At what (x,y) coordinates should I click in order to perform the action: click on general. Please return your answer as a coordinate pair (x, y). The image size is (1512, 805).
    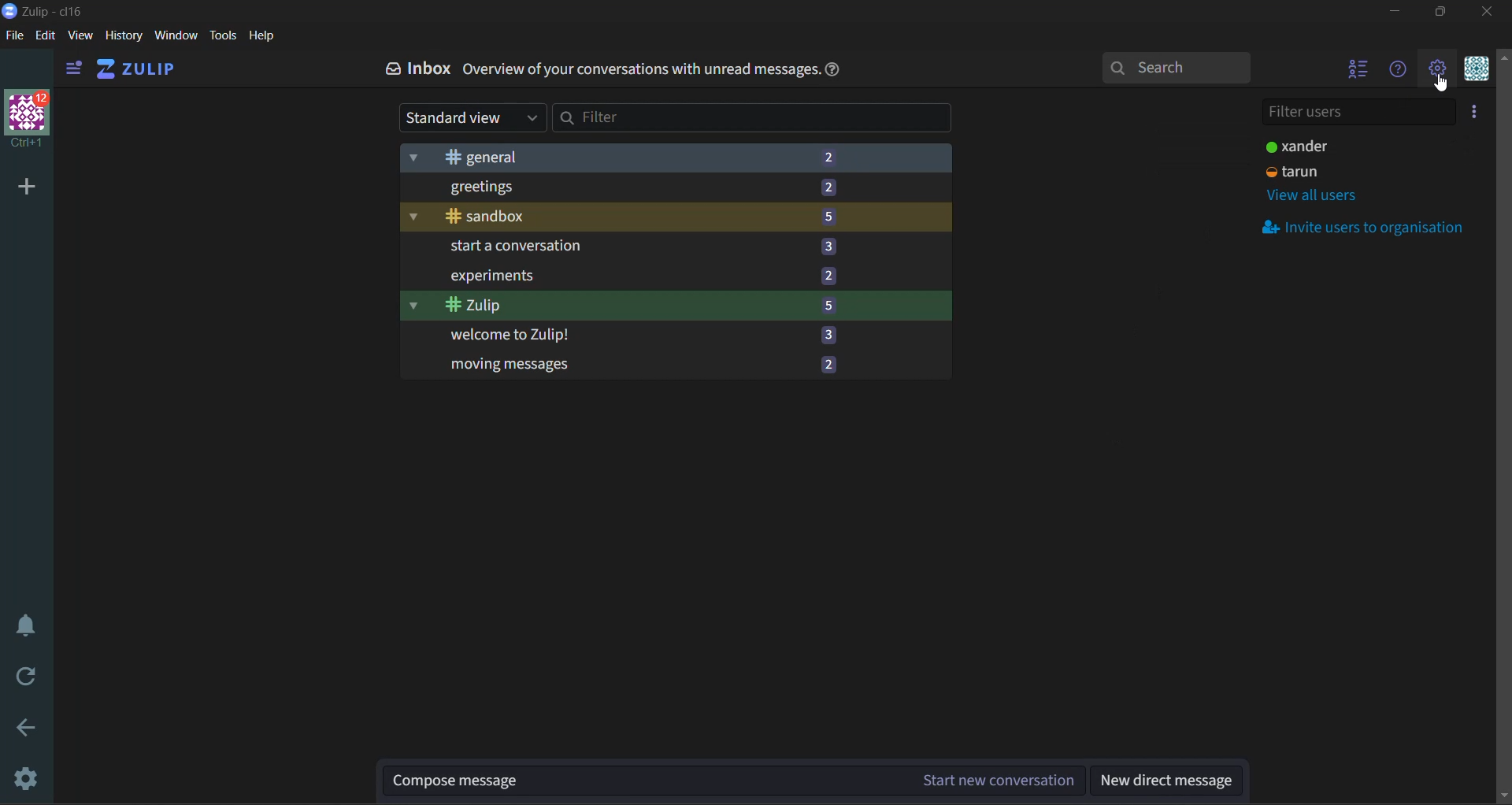
    Looking at the image, I should click on (632, 157).